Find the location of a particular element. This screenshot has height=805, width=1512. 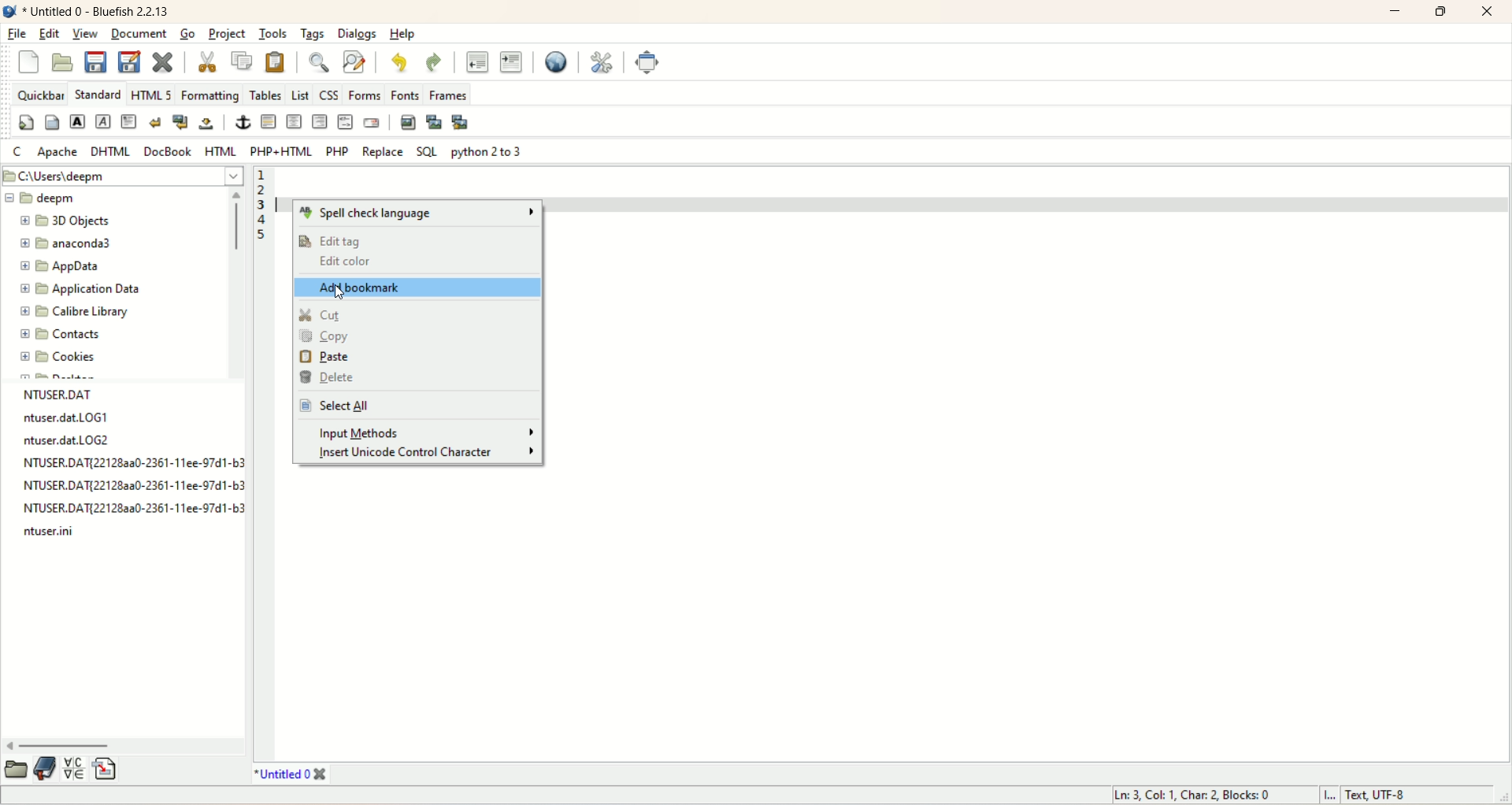

insert image is located at coordinates (408, 124).